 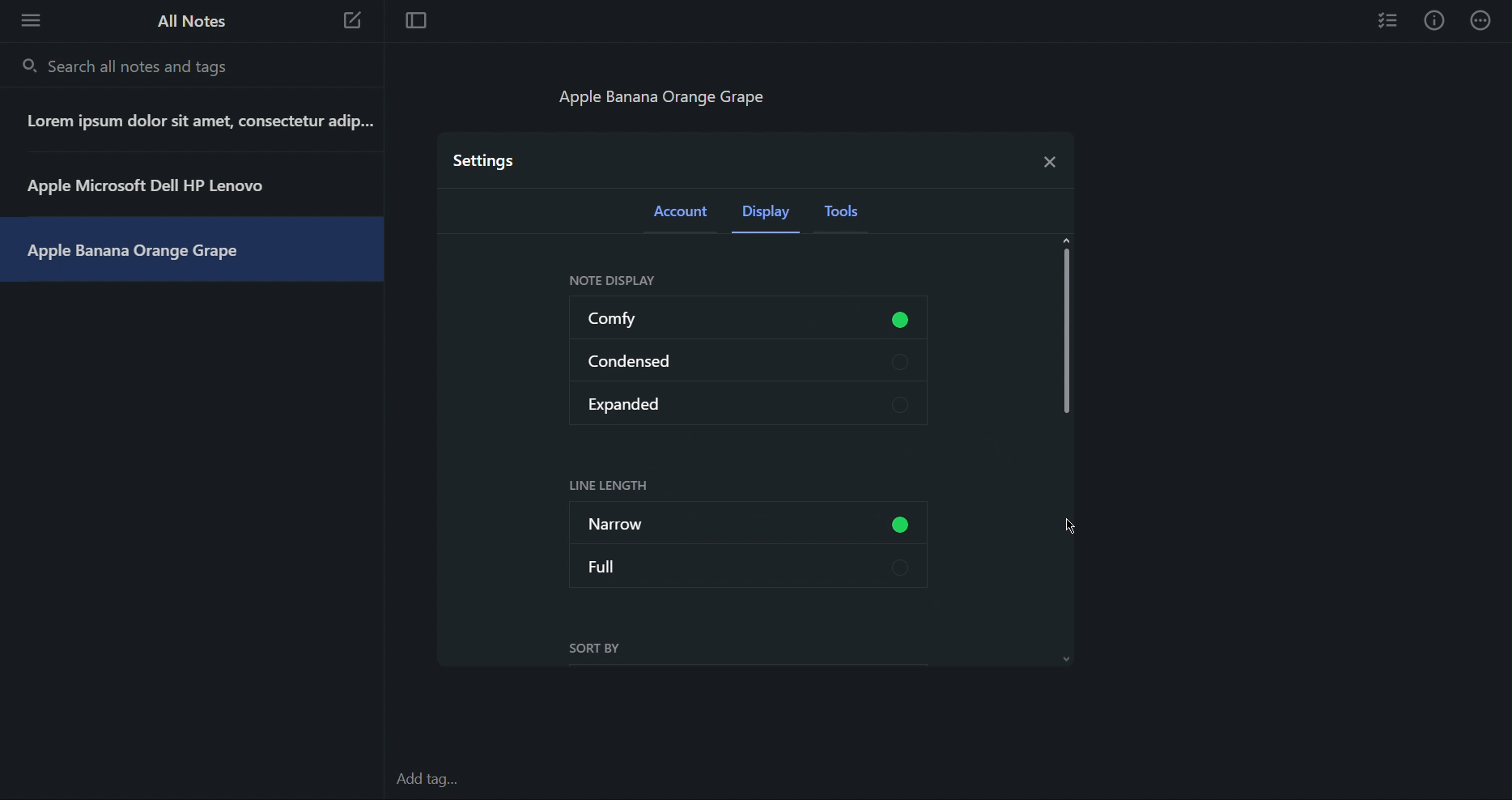 I want to click on Apple Microsoft Dell HP Lenovo, so click(x=162, y=185).